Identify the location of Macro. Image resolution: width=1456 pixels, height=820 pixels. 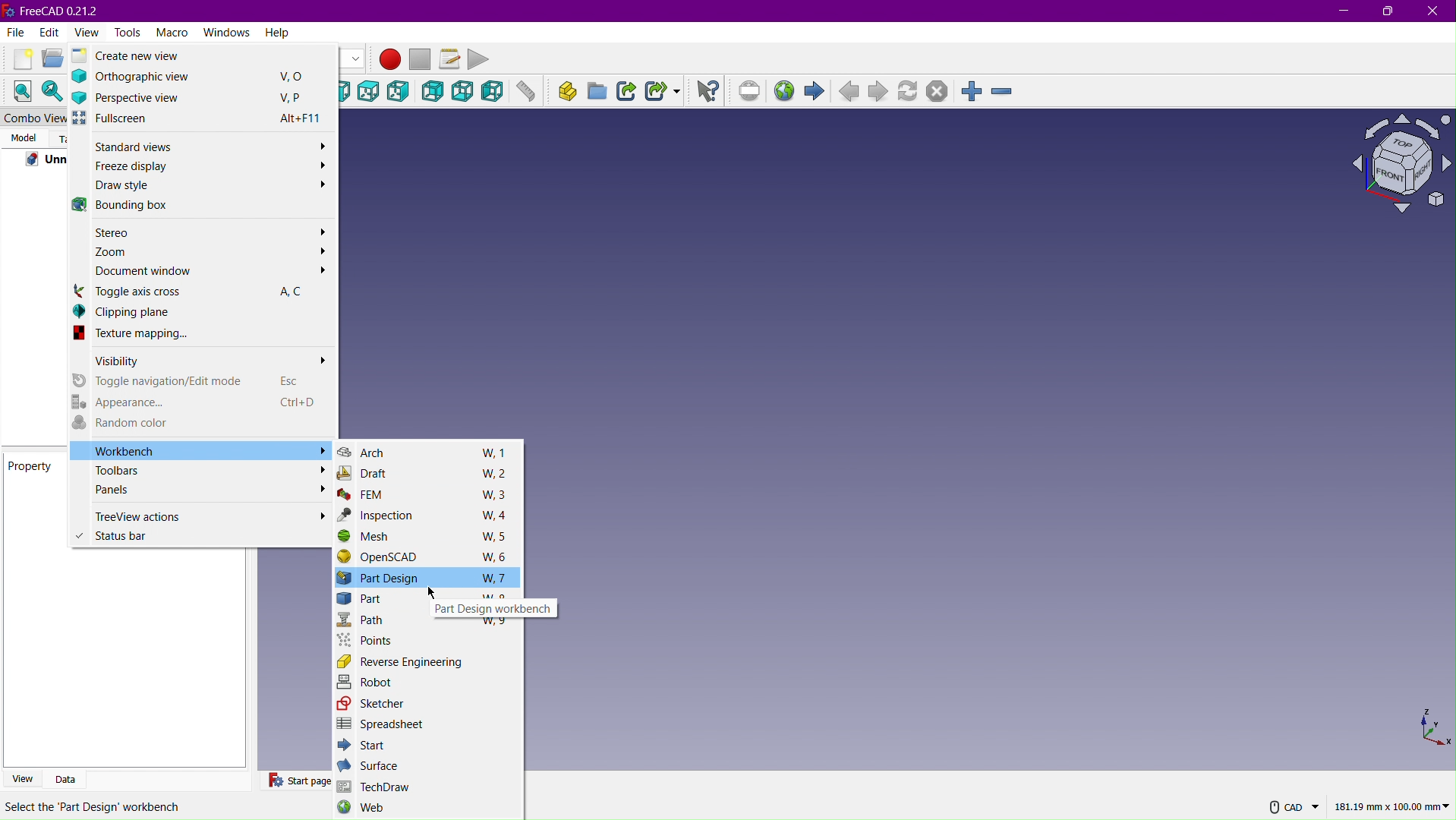
(176, 33).